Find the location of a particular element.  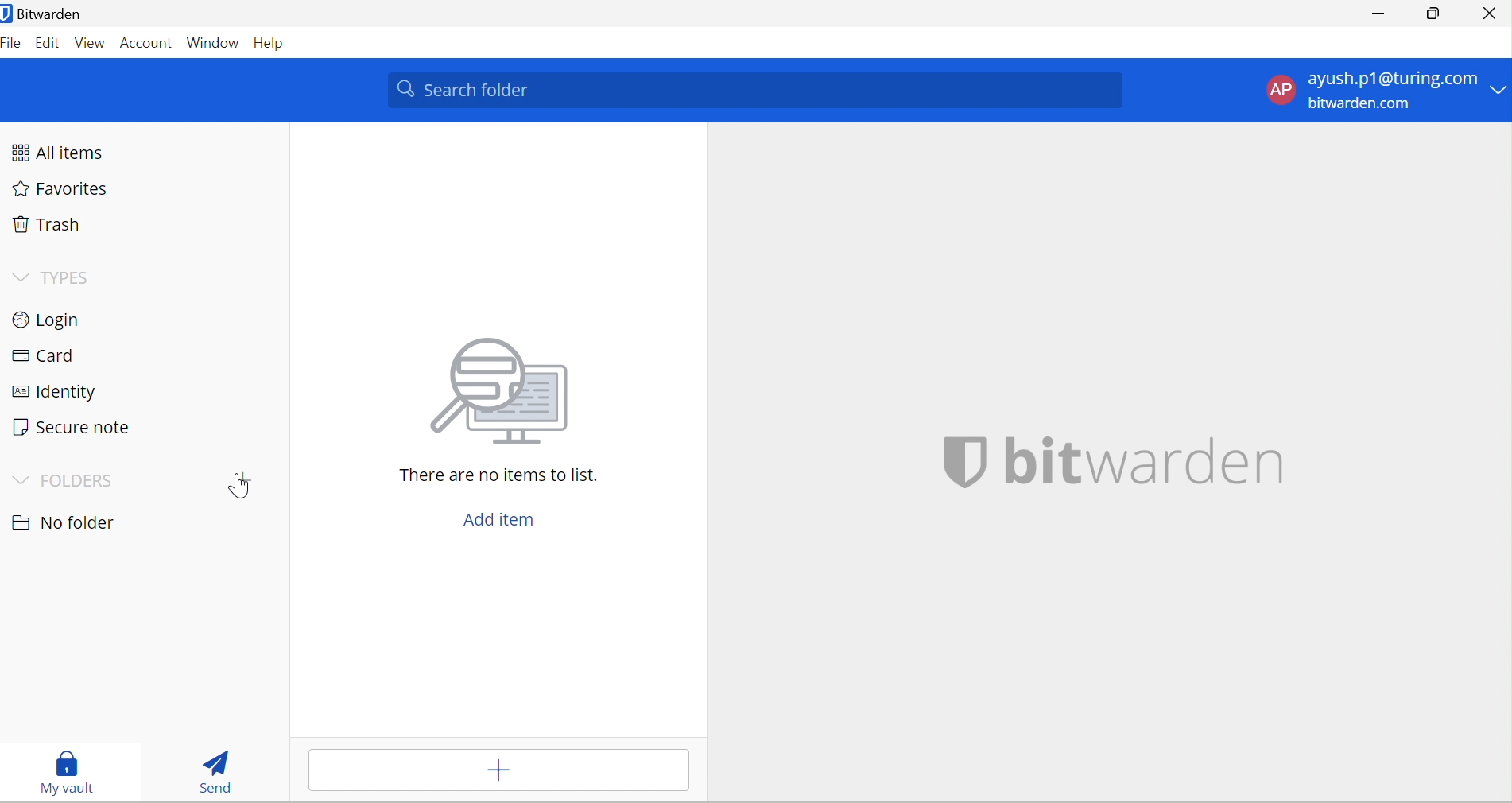

Help is located at coordinates (273, 43).